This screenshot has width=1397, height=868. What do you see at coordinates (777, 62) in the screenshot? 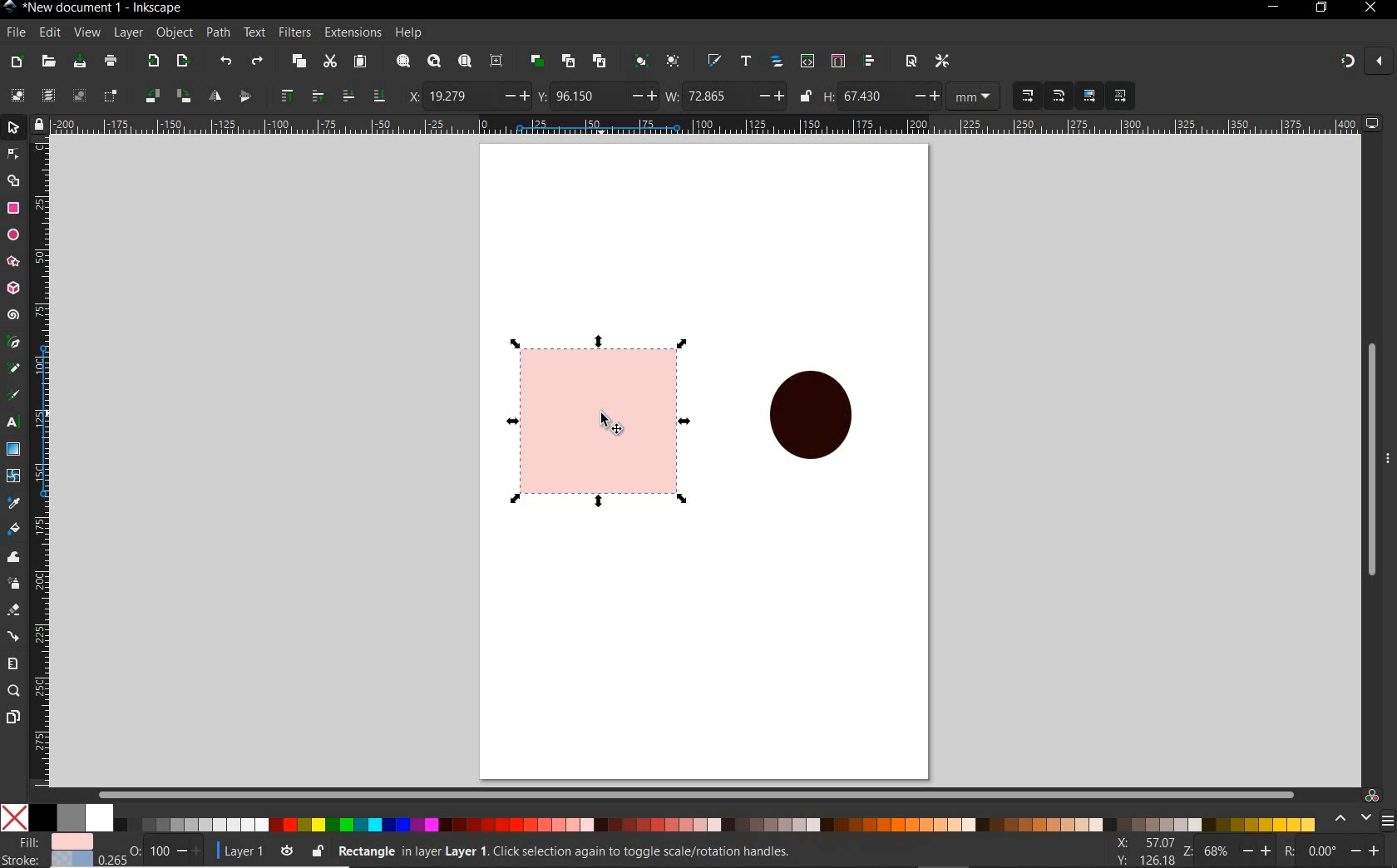
I see `open object` at bounding box center [777, 62].